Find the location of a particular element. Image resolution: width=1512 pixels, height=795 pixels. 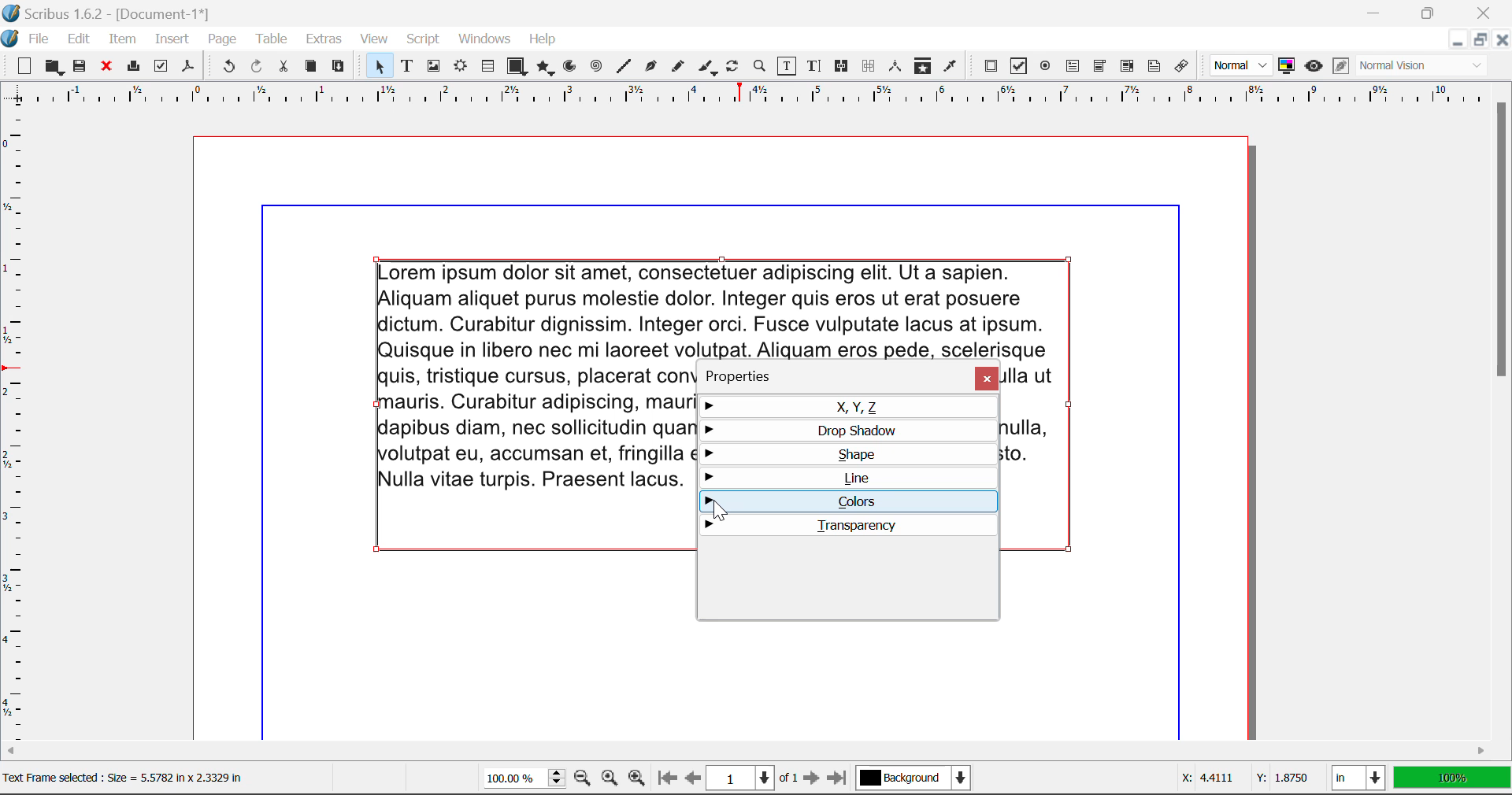

Image Frame is located at coordinates (433, 68).